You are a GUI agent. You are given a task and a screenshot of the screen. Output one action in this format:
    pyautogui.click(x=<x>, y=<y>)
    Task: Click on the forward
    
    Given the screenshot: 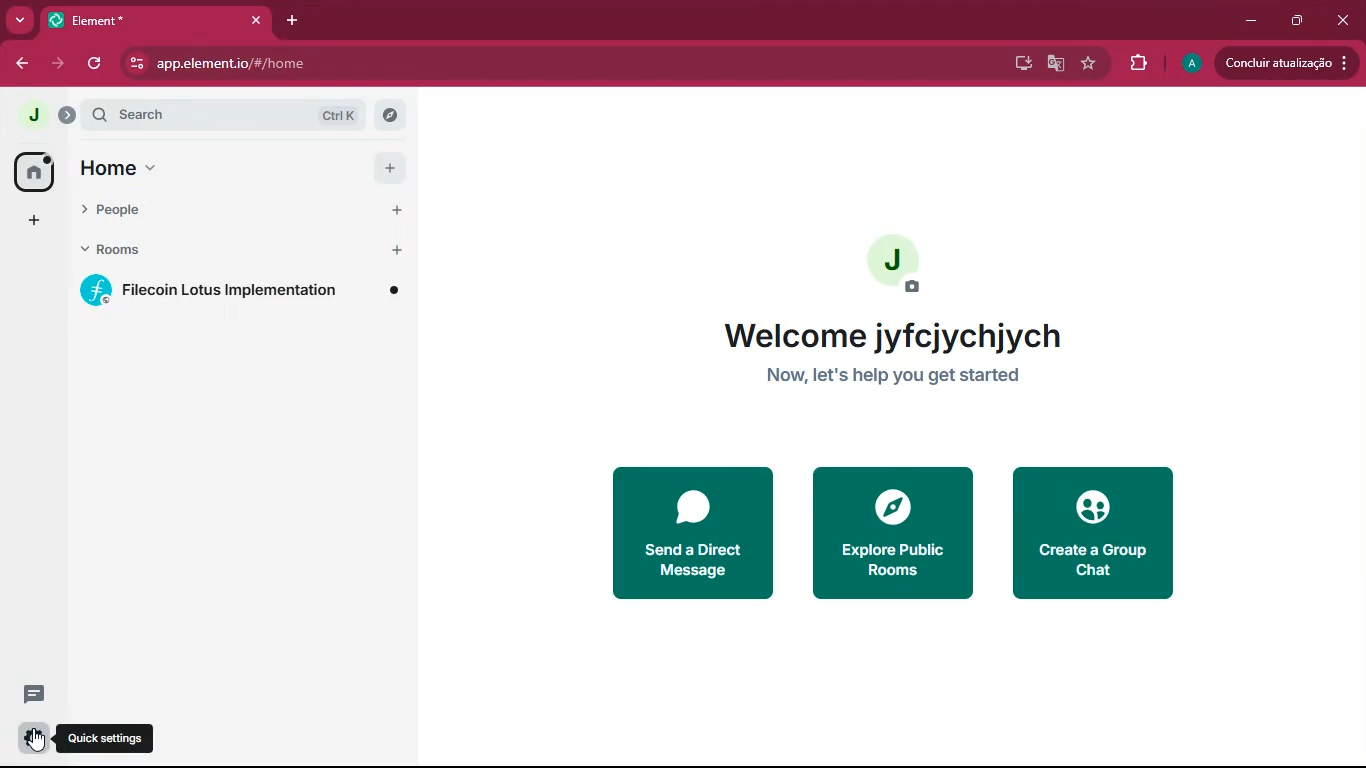 What is the action you would take?
    pyautogui.click(x=61, y=64)
    